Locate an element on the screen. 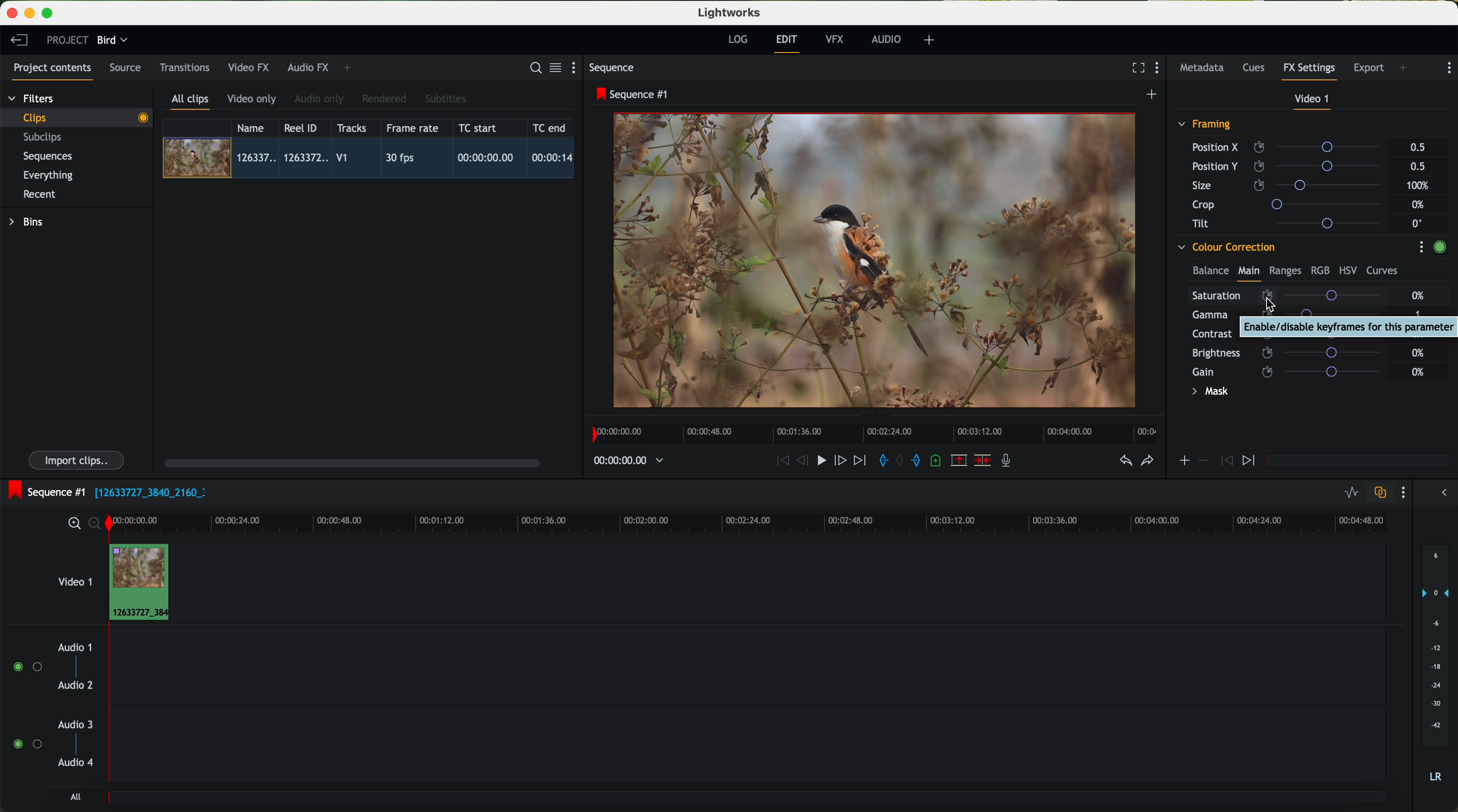 The width and height of the screenshot is (1458, 812). export is located at coordinates (1369, 69).